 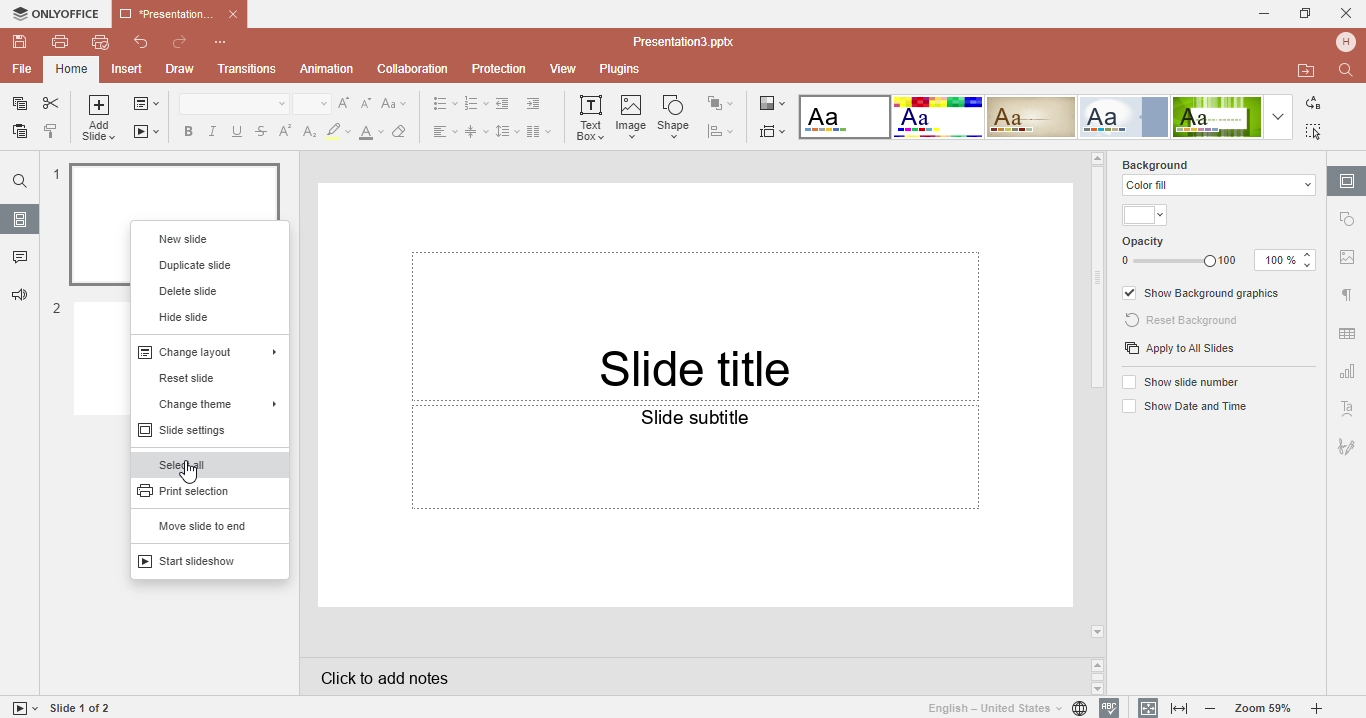 What do you see at coordinates (179, 43) in the screenshot?
I see `Redo` at bounding box center [179, 43].